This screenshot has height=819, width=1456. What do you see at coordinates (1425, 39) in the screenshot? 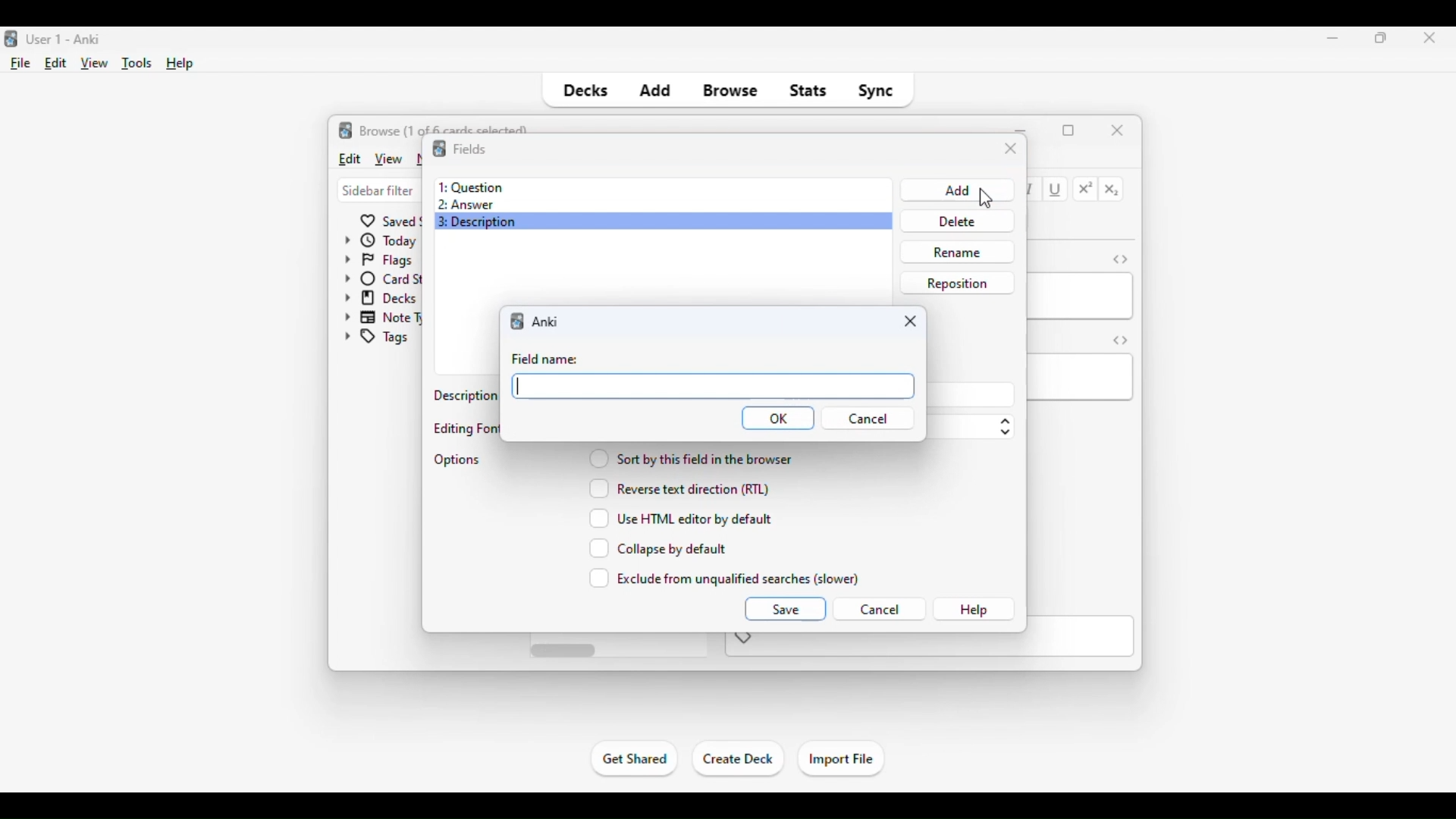
I see `close` at bounding box center [1425, 39].